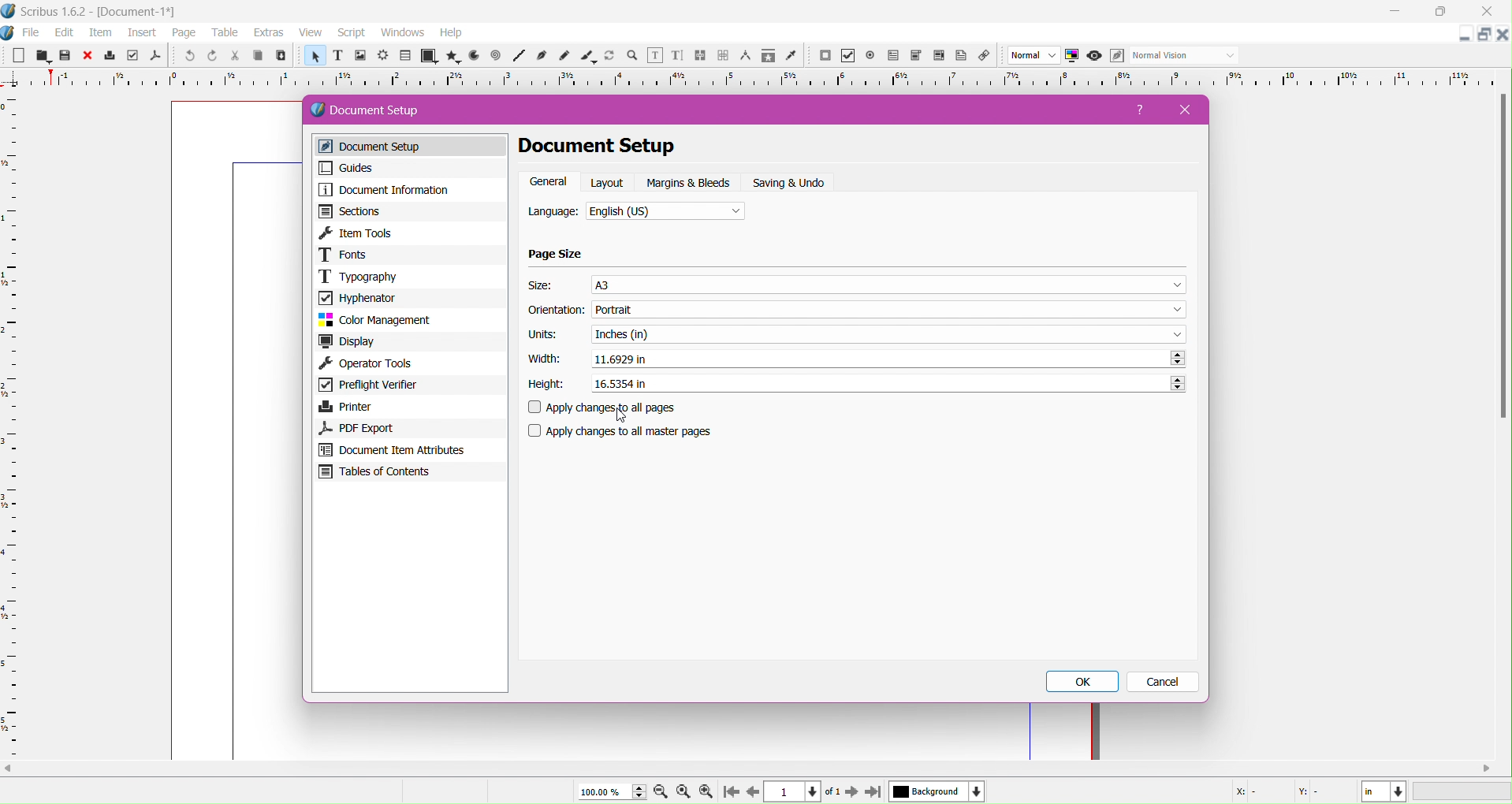  I want to click on Cursor, so click(623, 415).